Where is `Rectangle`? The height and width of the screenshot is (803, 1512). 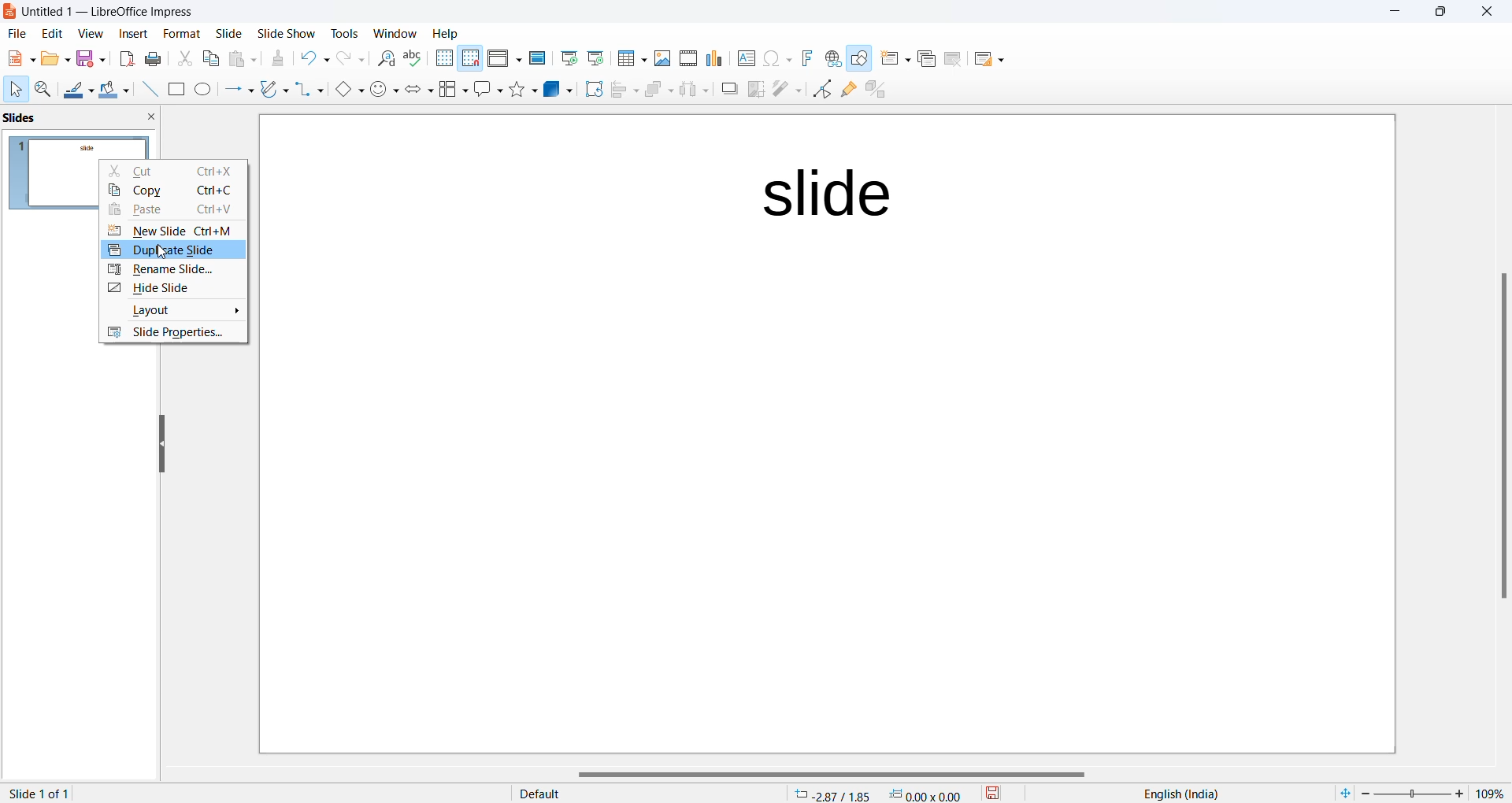
Rectangle is located at coordinates (174, 89).